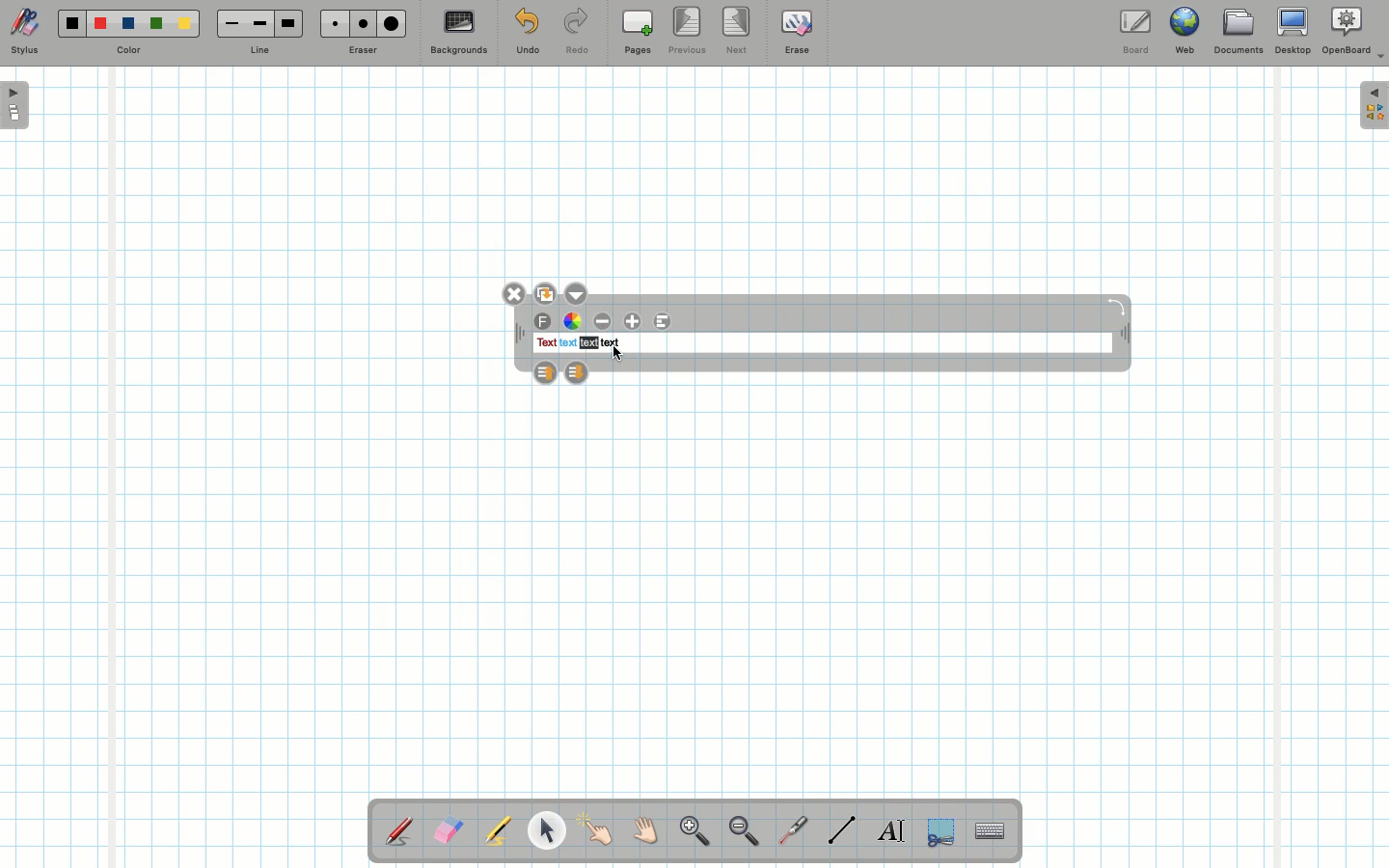 Image resolution: width=1389 pixels, height=868 pixels. What do you see at coordinates (577, 35) in the screenshot?
I see `Redo` at bounding box center [577, 35].